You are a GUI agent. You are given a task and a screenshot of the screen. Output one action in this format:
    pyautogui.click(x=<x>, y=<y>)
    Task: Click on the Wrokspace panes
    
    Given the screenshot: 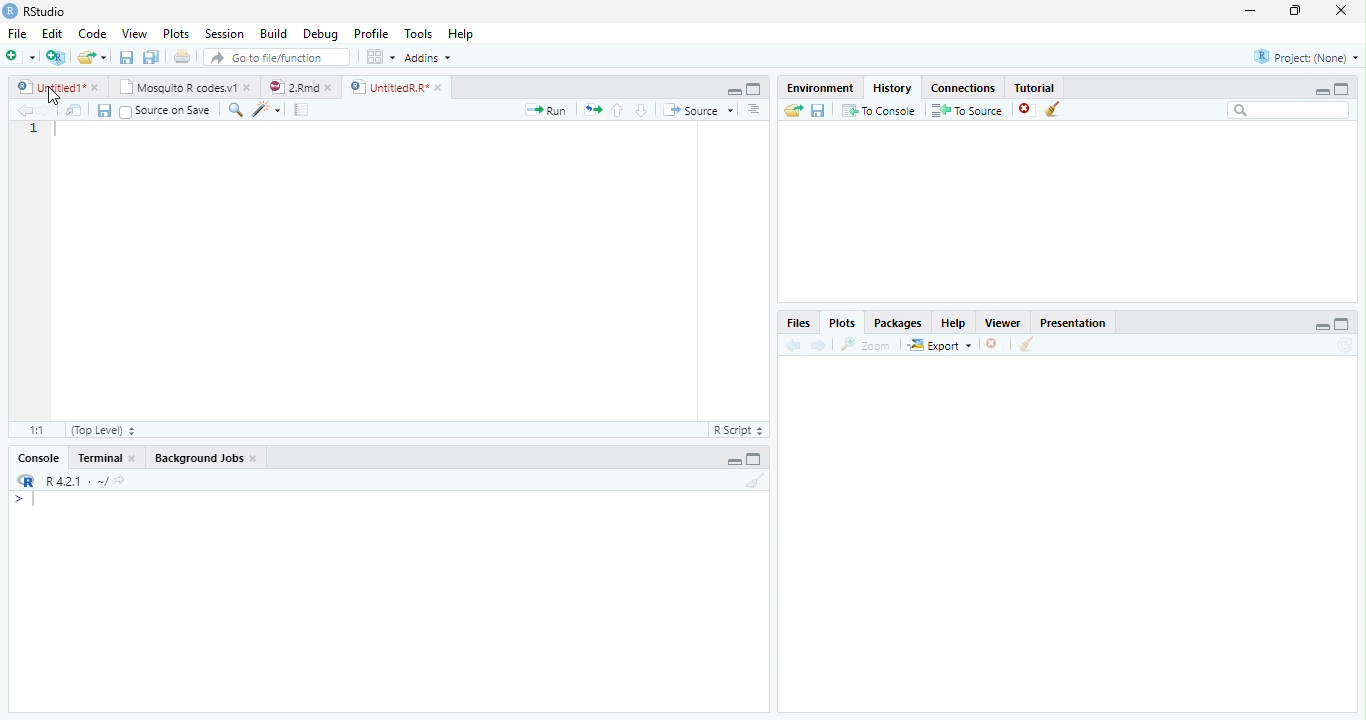 What is the action you would take?
    pyautogui.click(x=379, y=57)
    